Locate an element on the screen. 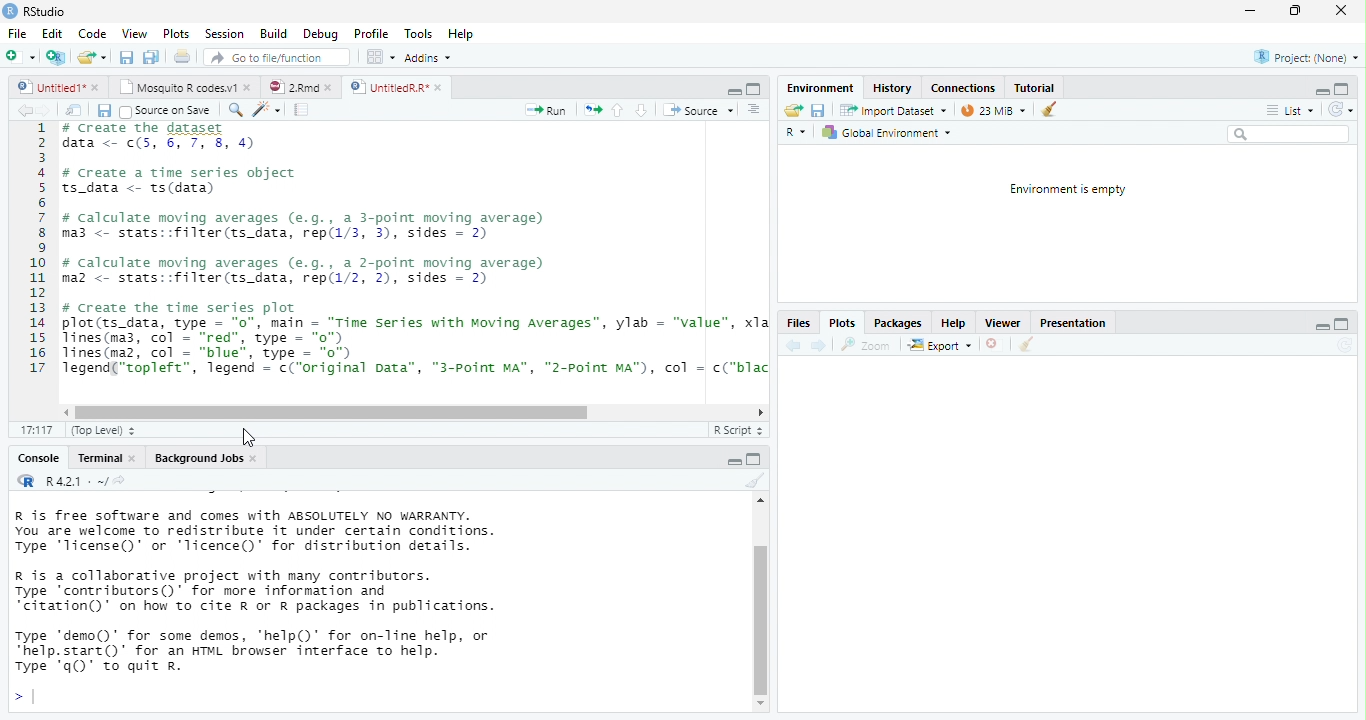 The image size is (1366, 720). Environment is empty. is located at coordinates (1067, 190).